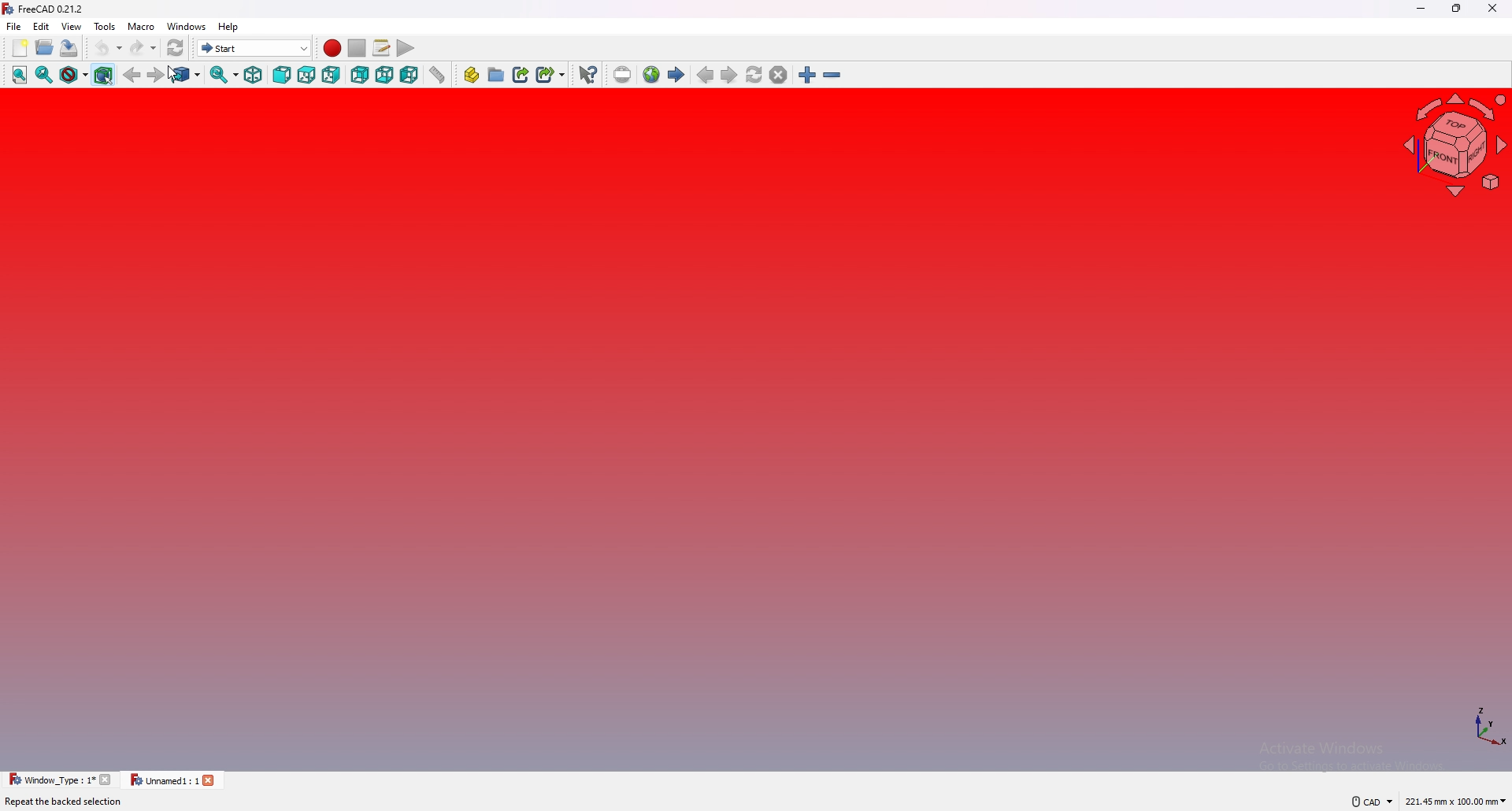  I want to click on forward, so click(156, 75).